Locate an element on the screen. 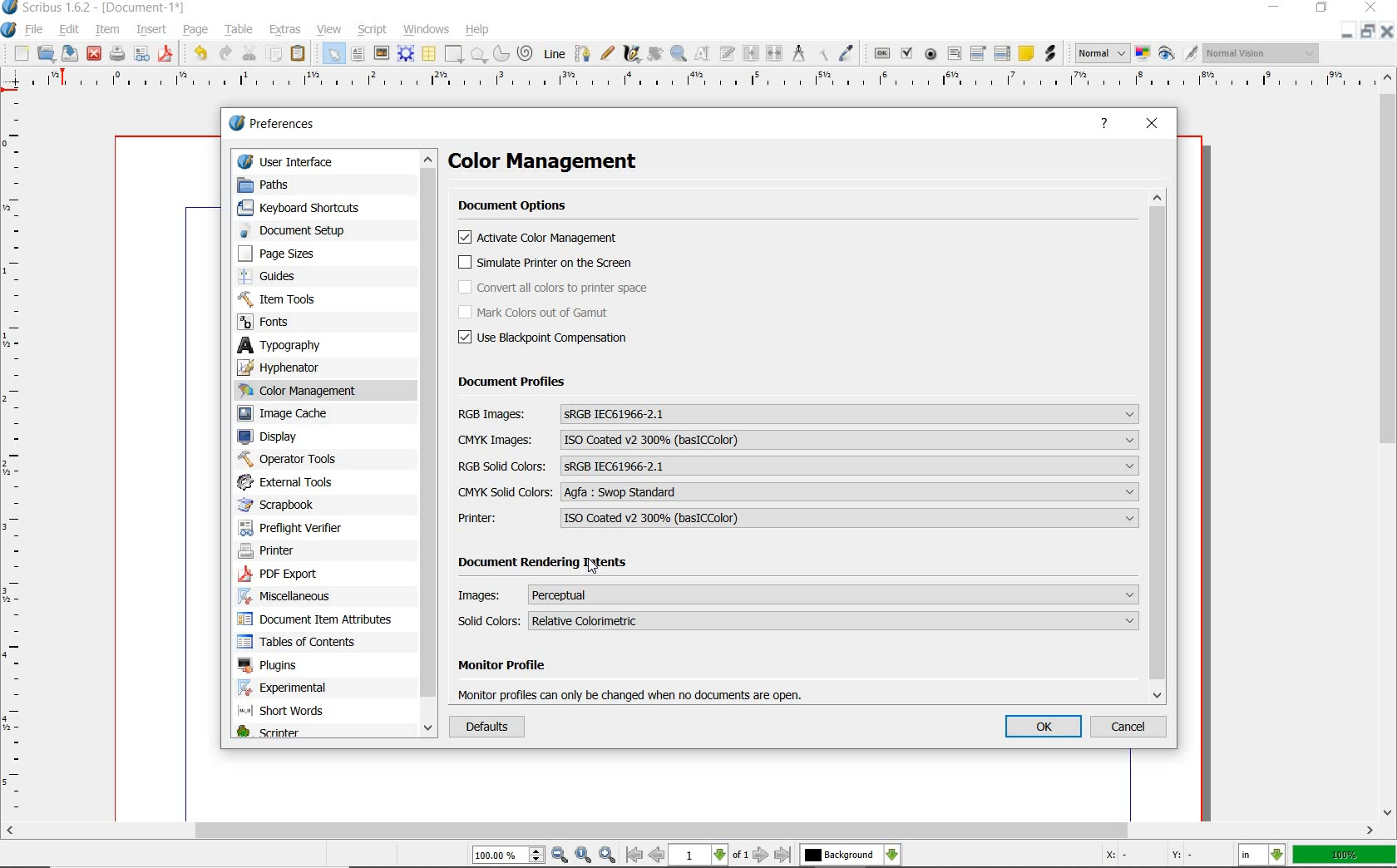 The image size is (1397, 868). ruler is located at coordinates (703, 82).